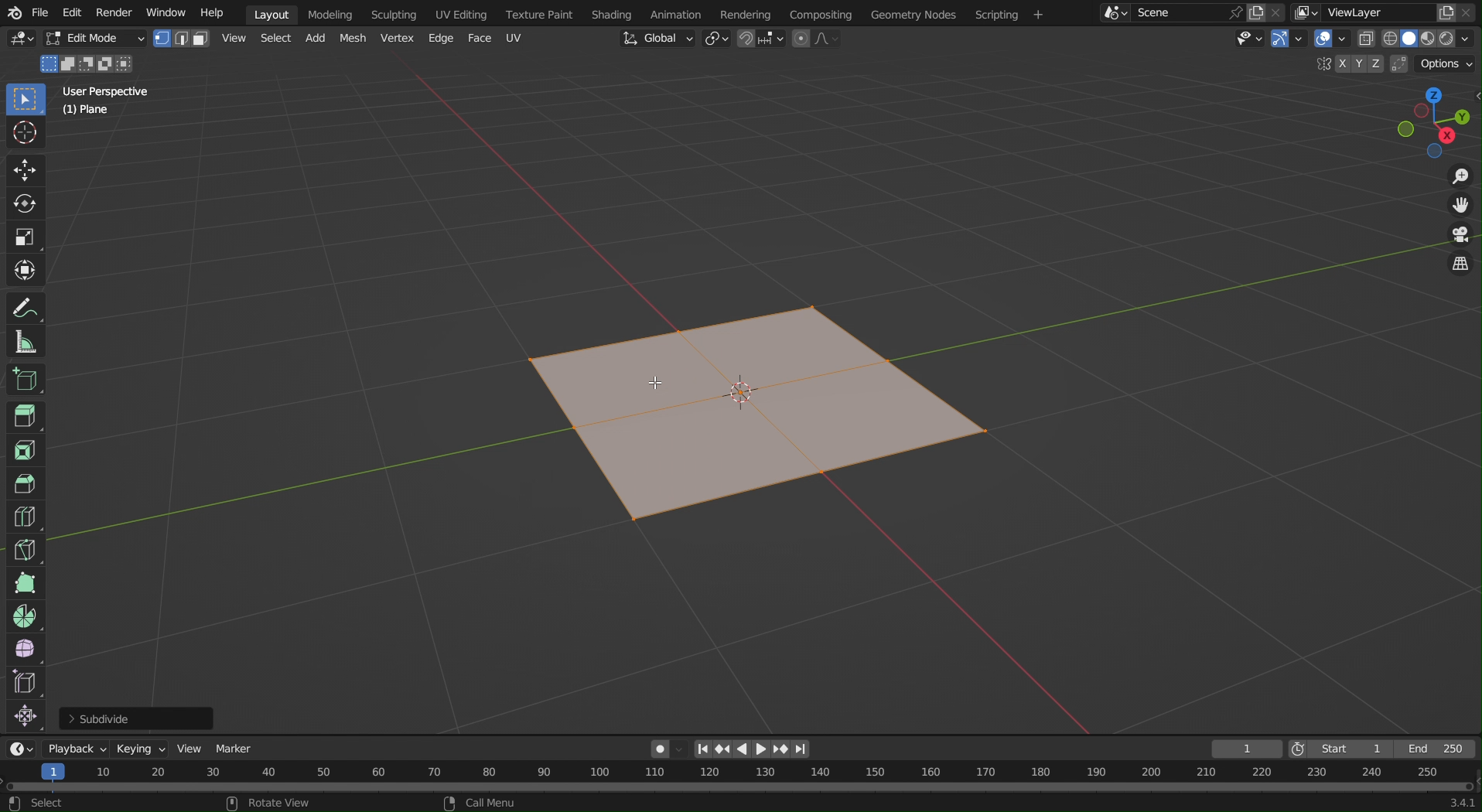 The width and height of the screenshot is (1482, 812). I want to click on Move, so click(25, 170).